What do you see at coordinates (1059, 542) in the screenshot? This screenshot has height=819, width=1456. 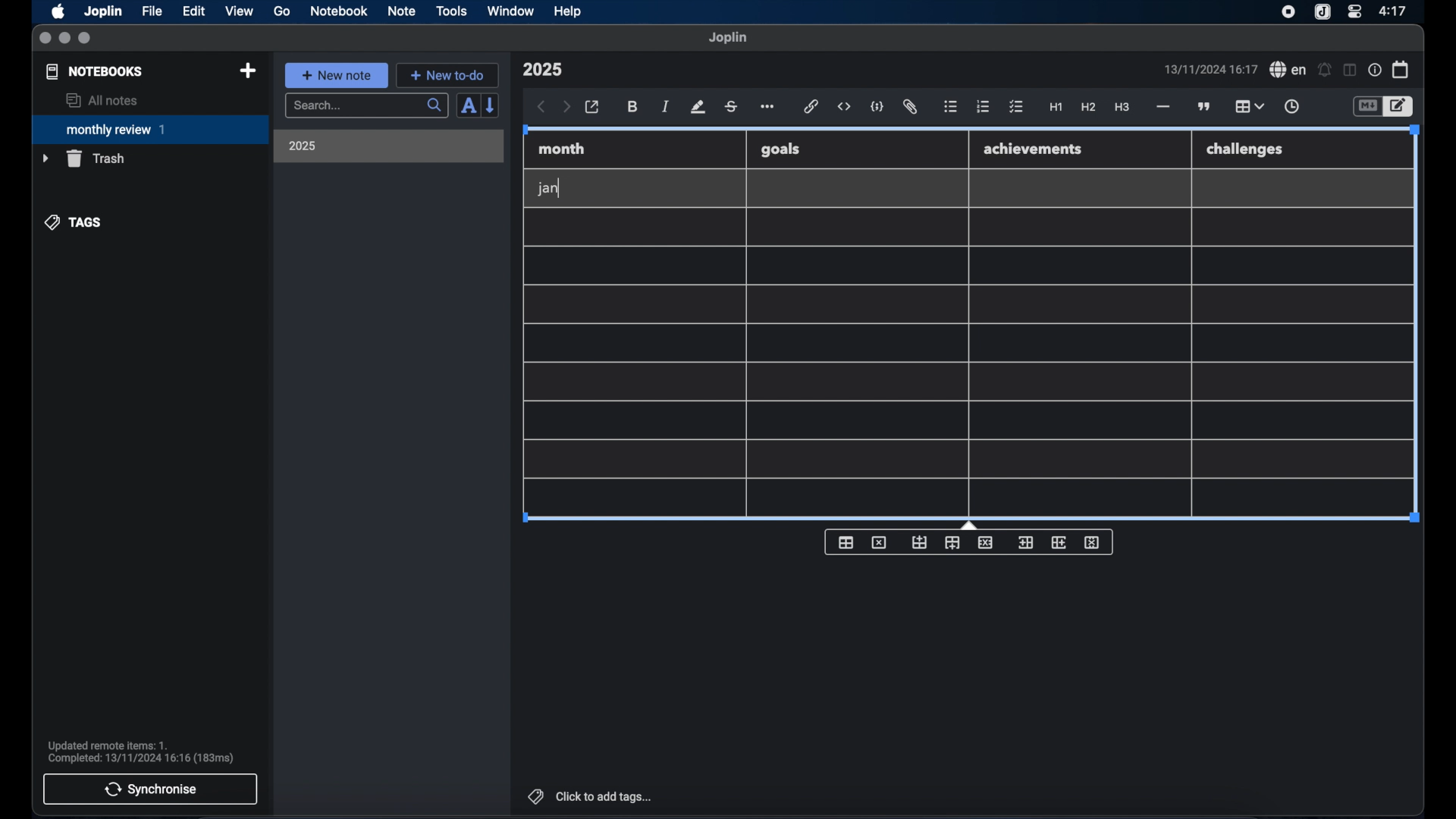 I see `insert column after` at bounding box center [1059, 542].